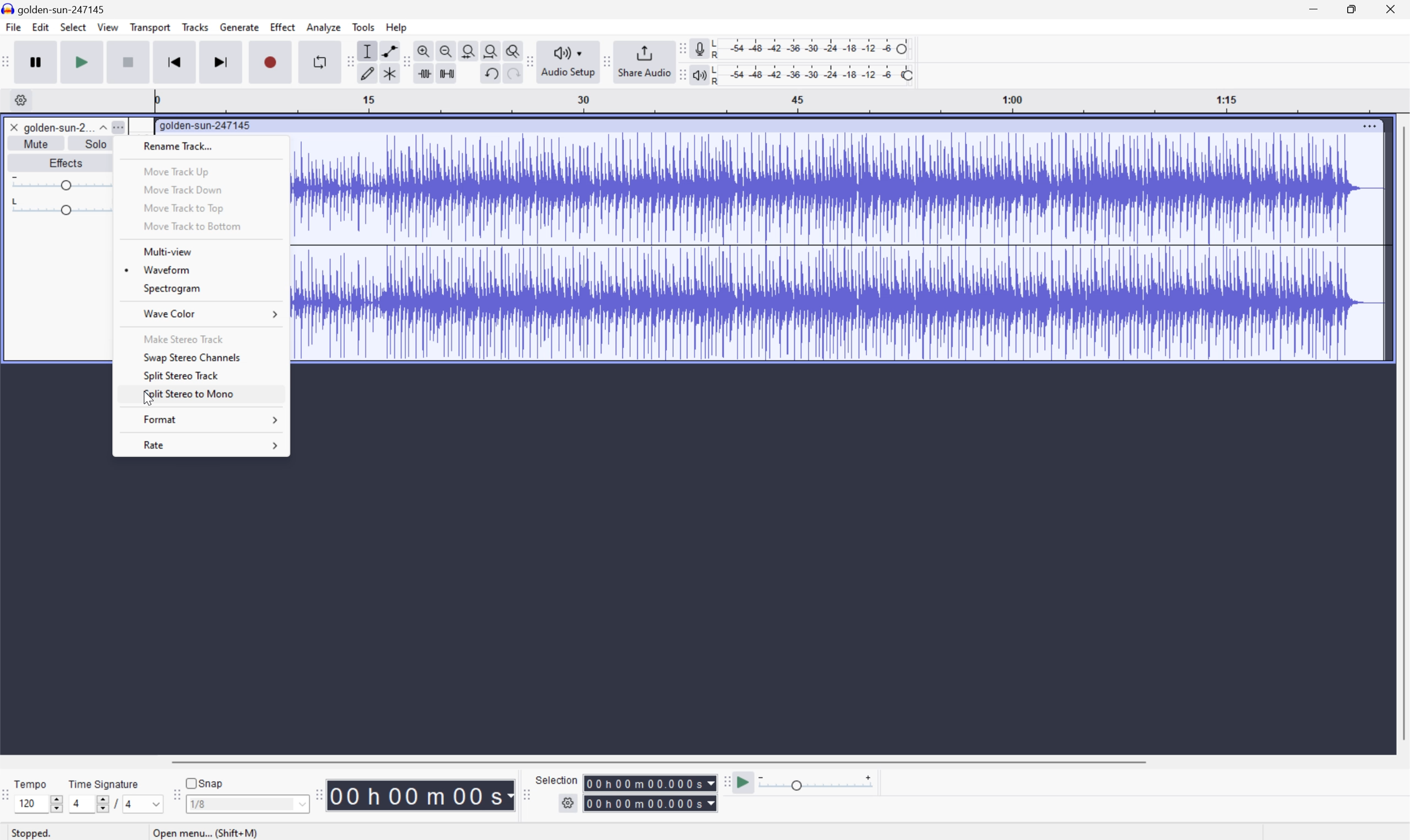  I want to click on cursor, so click(148, 401).